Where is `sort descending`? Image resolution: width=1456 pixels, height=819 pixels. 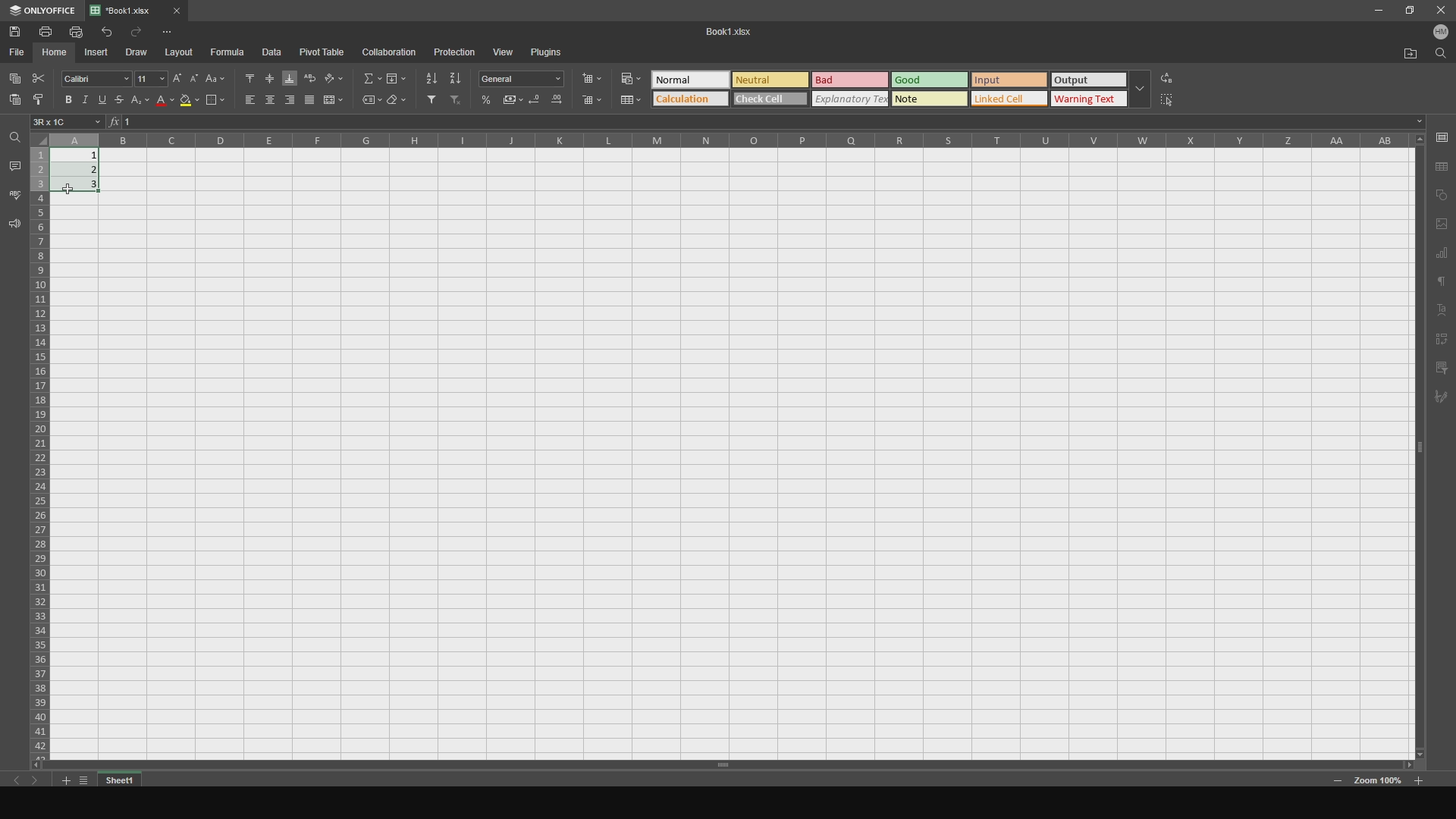 sort descending is located at coordinates (456, 77).